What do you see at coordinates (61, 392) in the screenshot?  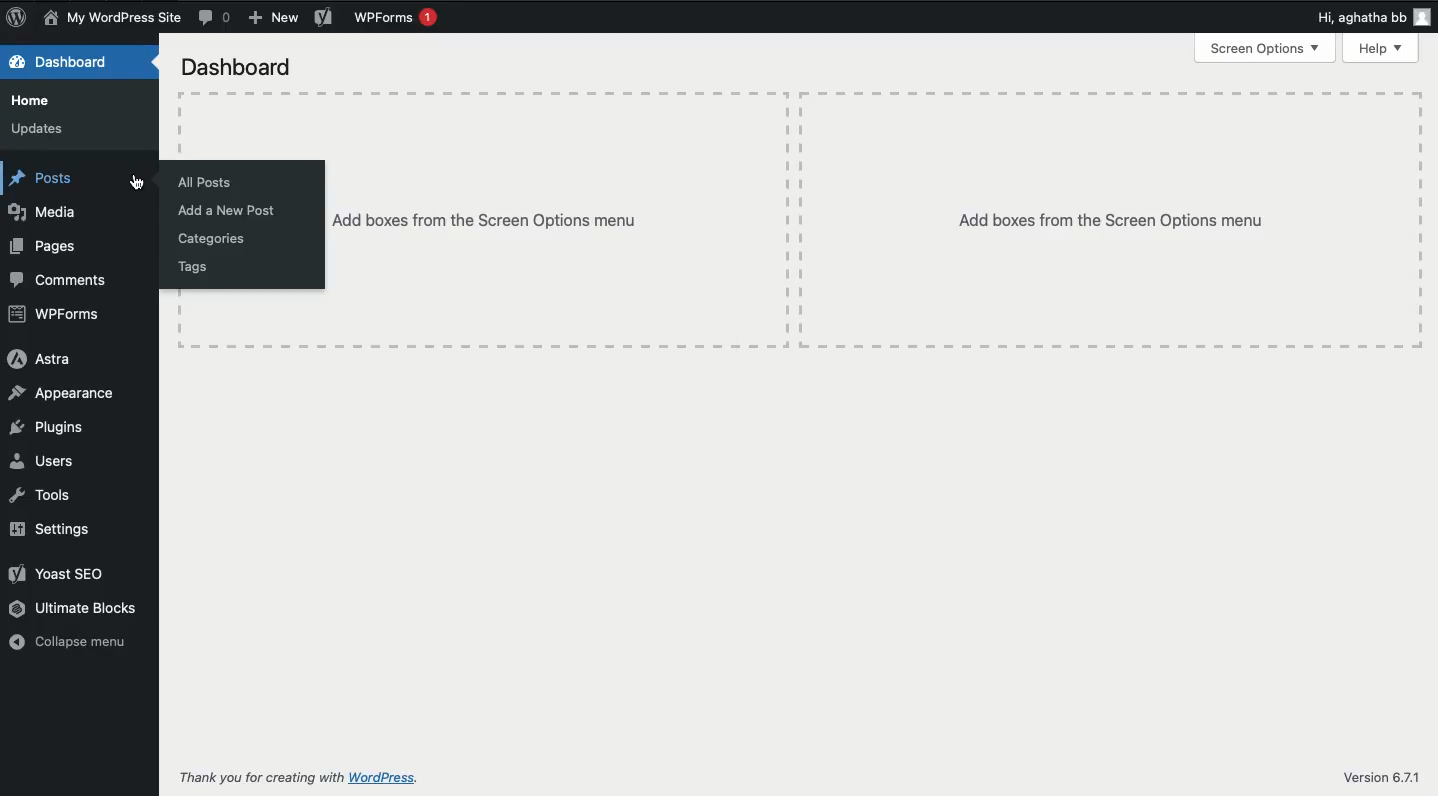 I see `Appearance` at bounding box center [61, 392].